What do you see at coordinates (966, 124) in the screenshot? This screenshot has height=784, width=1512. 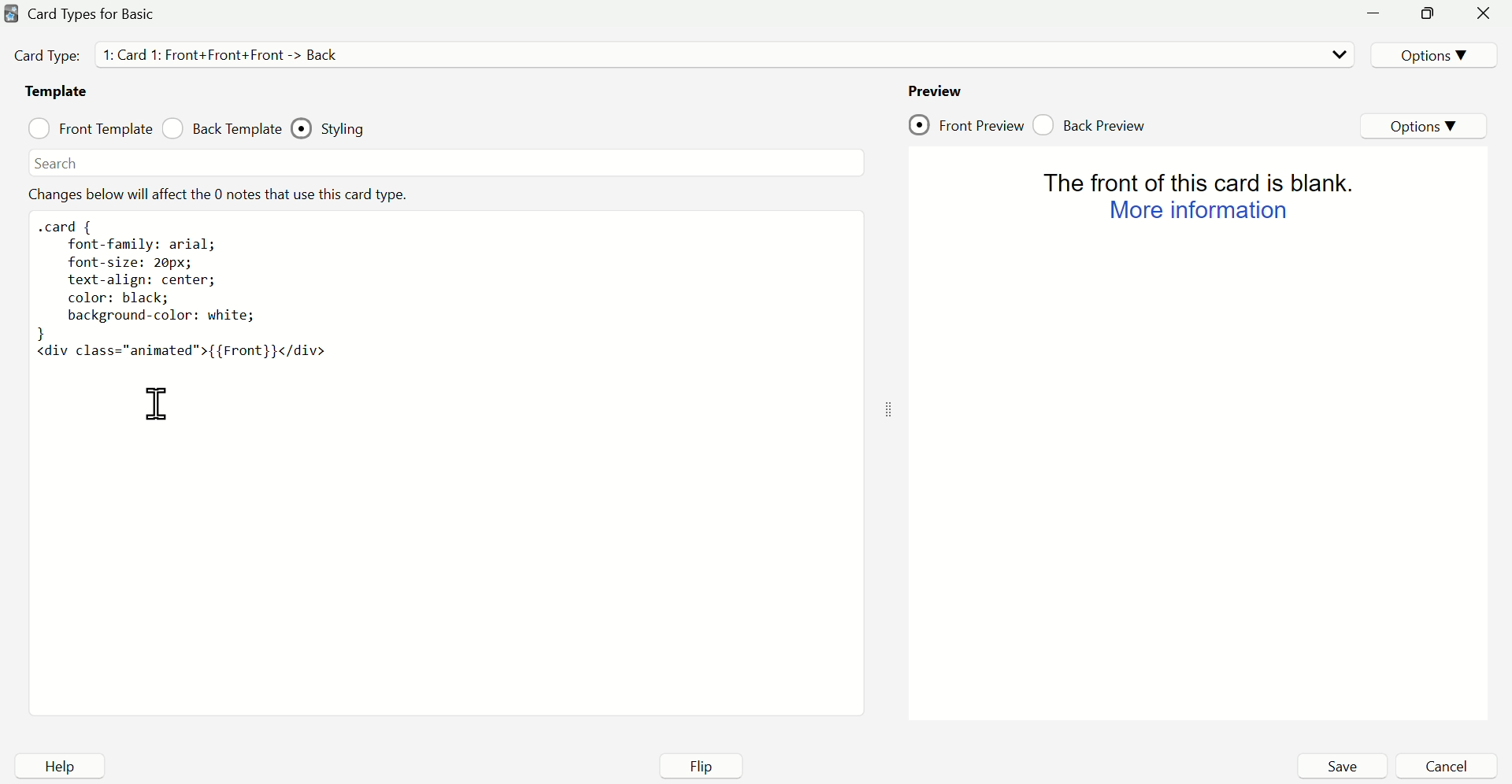 I see `Front Preview` at bounding box center [966, 124].